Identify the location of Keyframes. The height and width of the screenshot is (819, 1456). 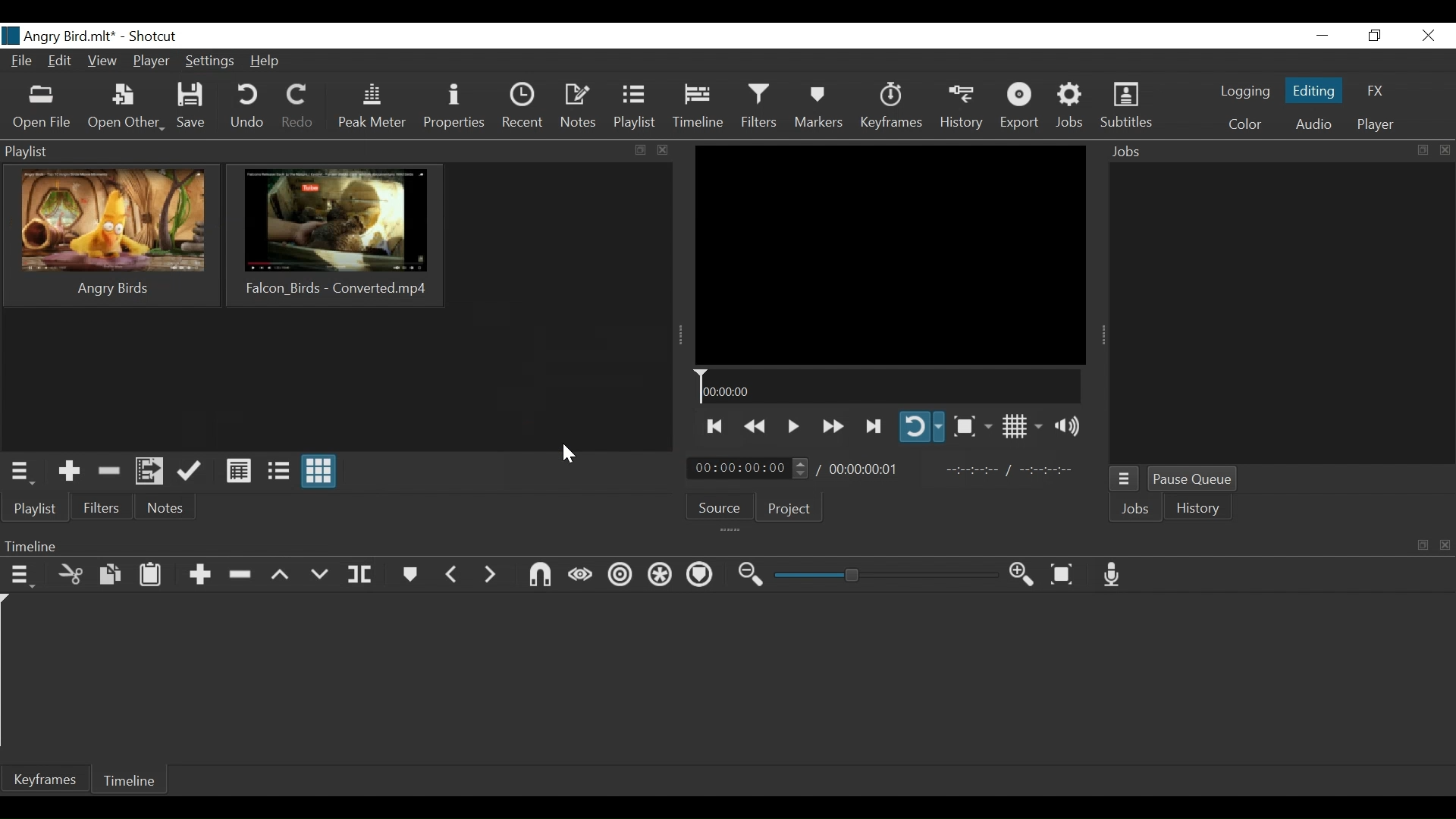
(45, 778).